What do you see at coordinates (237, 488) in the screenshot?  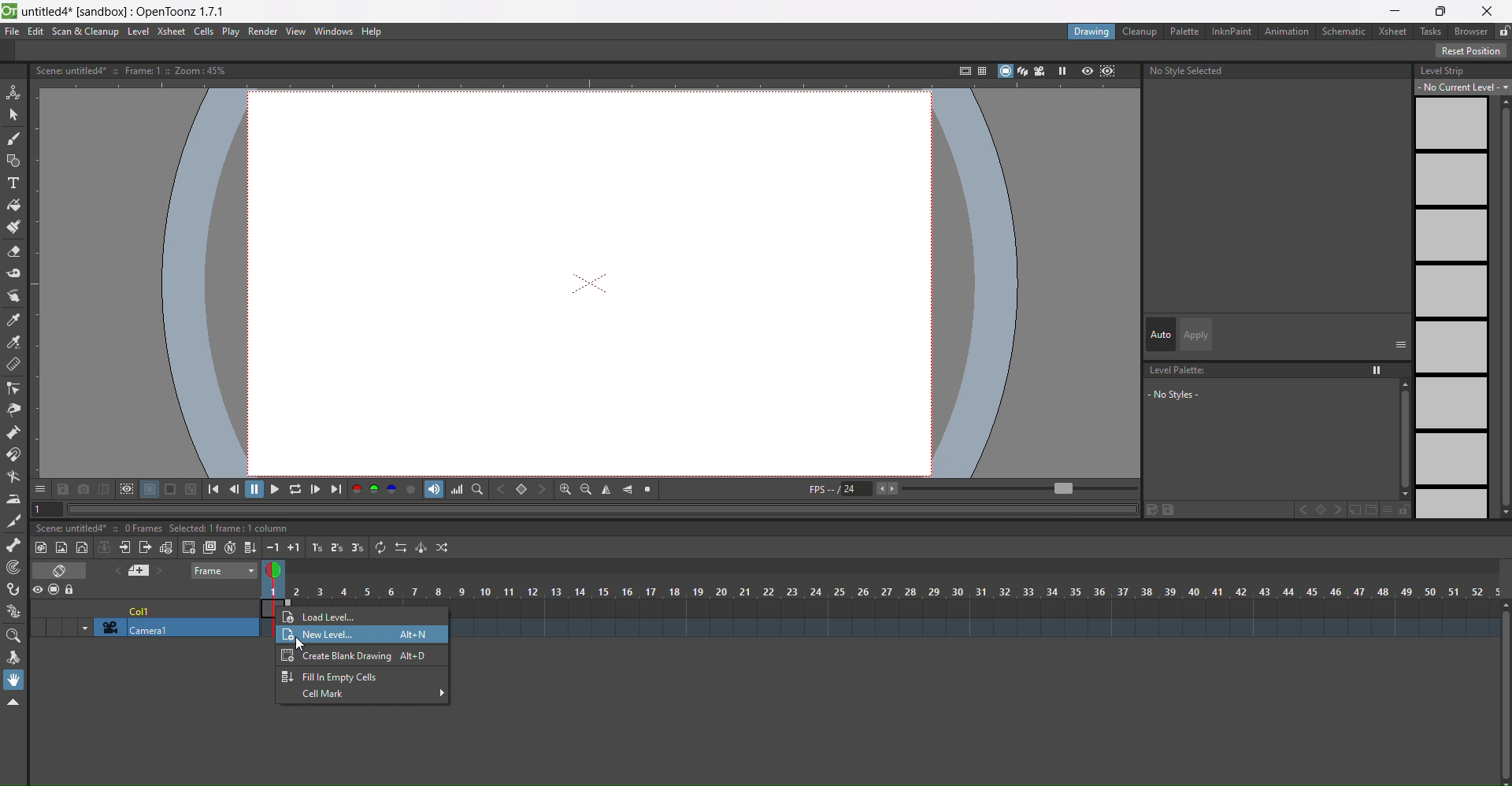 I see `previous frame` at bounding box center [237, 488].